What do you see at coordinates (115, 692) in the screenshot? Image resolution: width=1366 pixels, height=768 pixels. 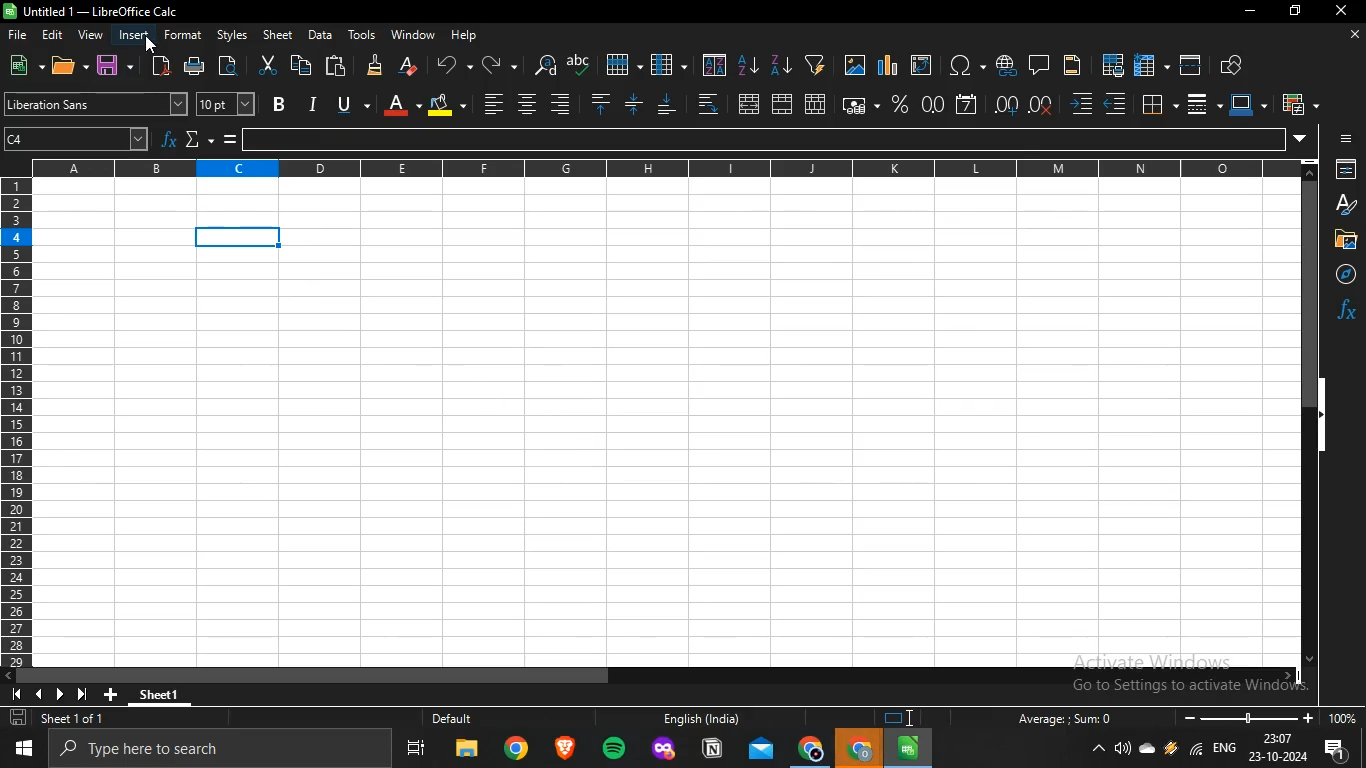 I see `new sheet` at bounding box center [115, 692].